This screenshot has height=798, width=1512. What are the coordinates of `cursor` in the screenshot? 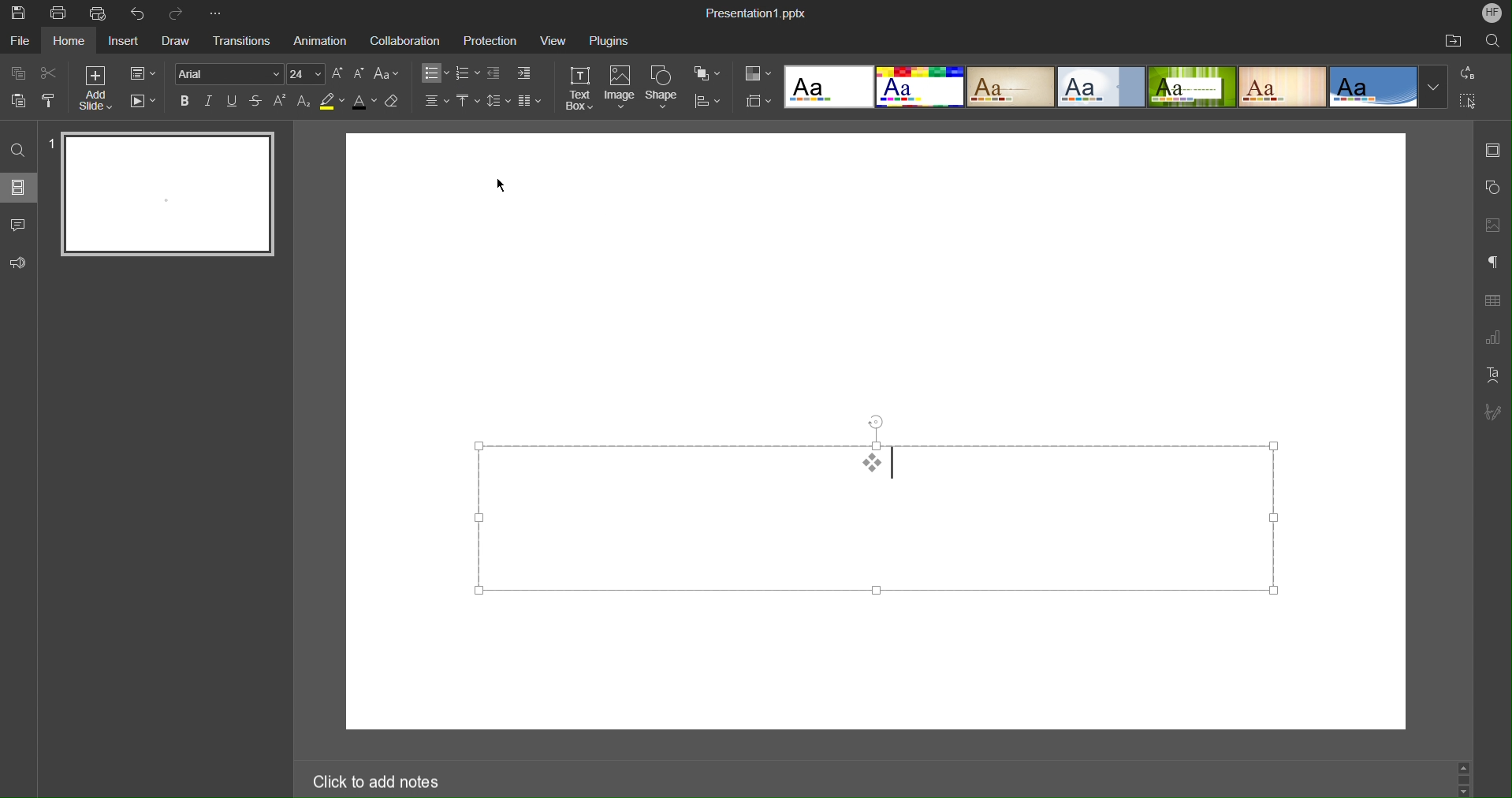 It's located at (502, 186).